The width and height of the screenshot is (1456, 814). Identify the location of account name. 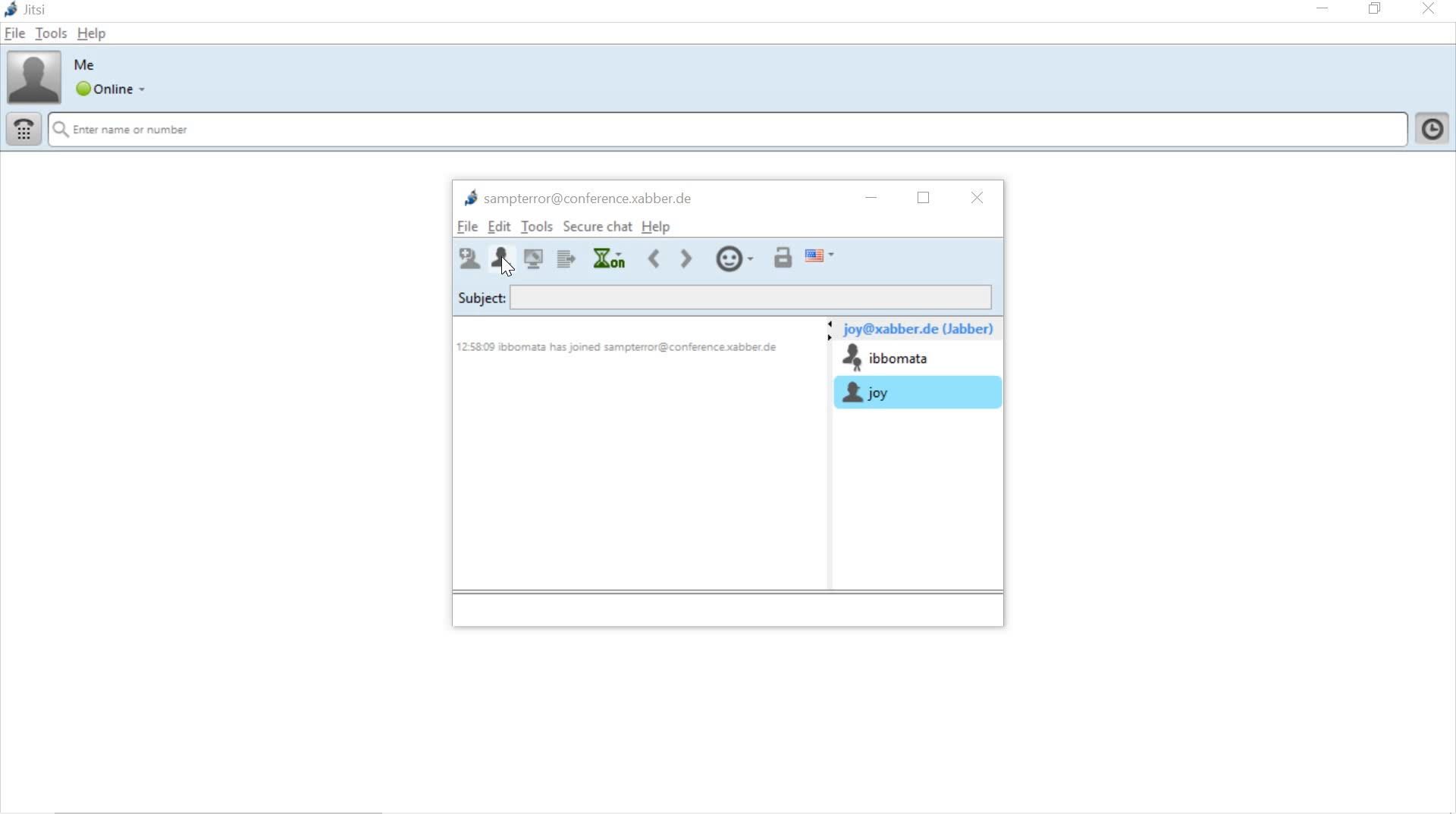
(87, 64).